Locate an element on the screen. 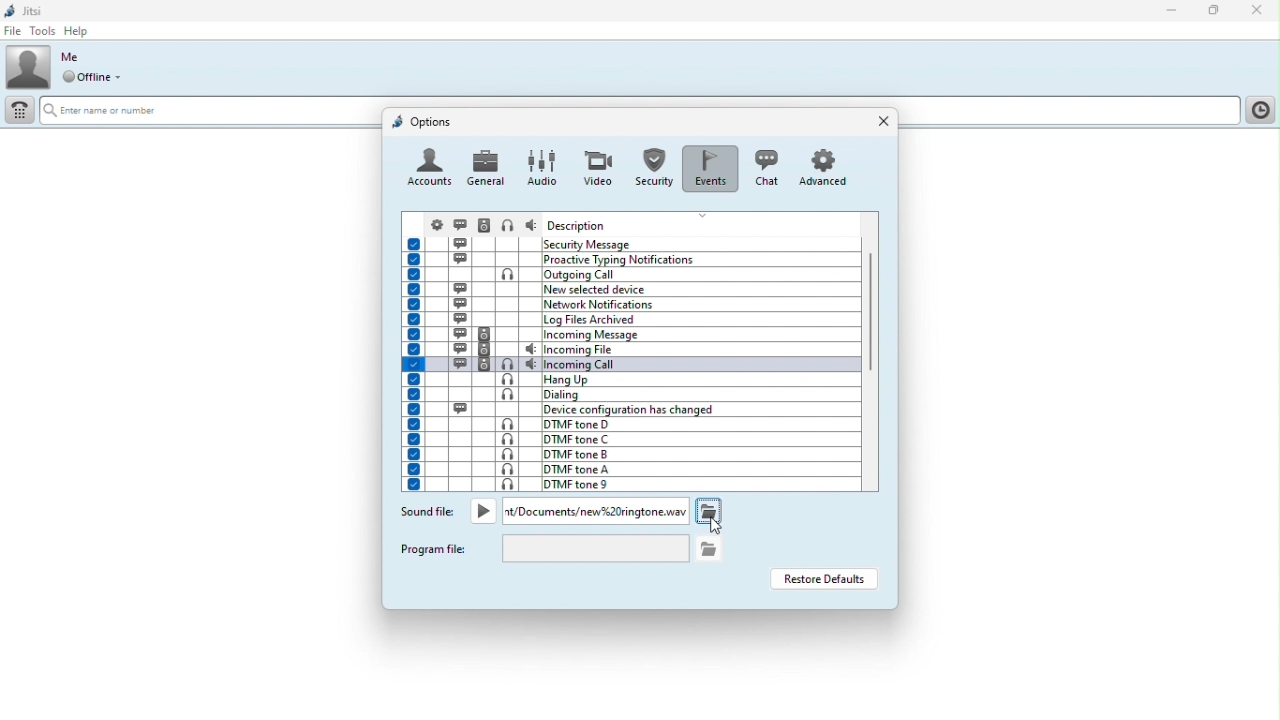  General is located at coordinates (487, 167).